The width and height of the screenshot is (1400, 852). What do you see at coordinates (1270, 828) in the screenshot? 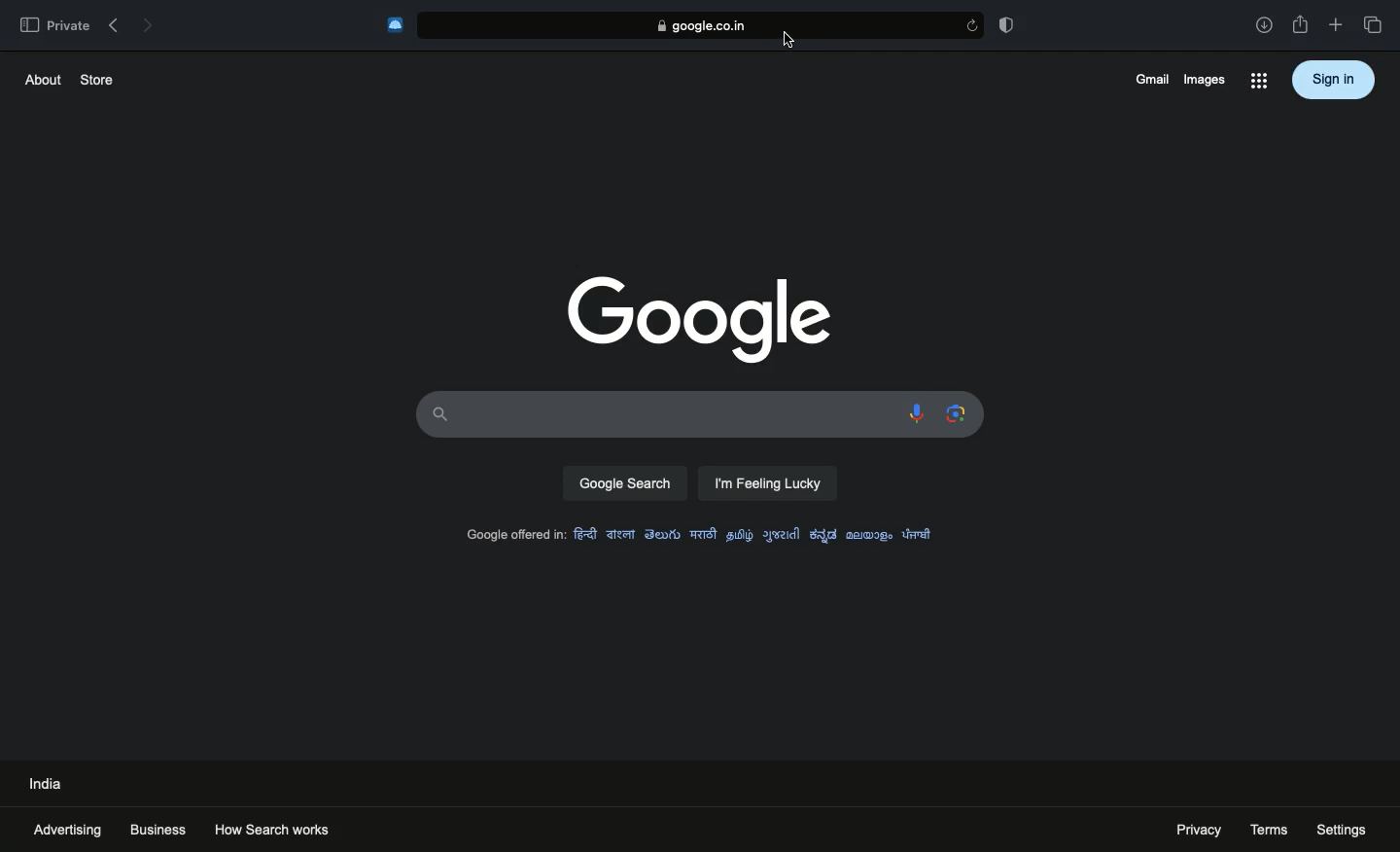
I see `terms` at bounding box center [1270, 828].